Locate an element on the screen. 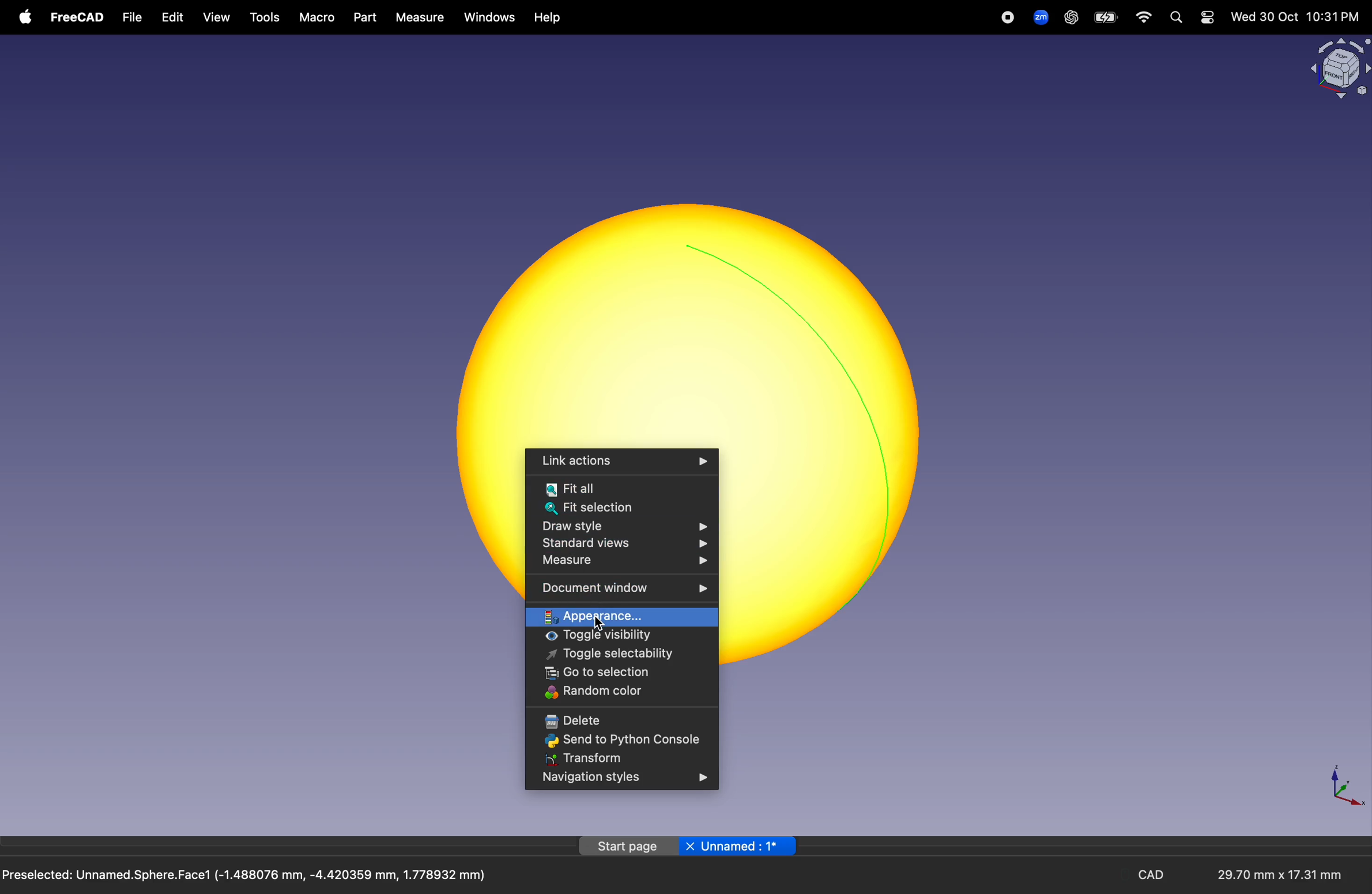 Image resolution: width=1372 pixels, height=894 pixels. free Cad is located at coordinates (77, 18).